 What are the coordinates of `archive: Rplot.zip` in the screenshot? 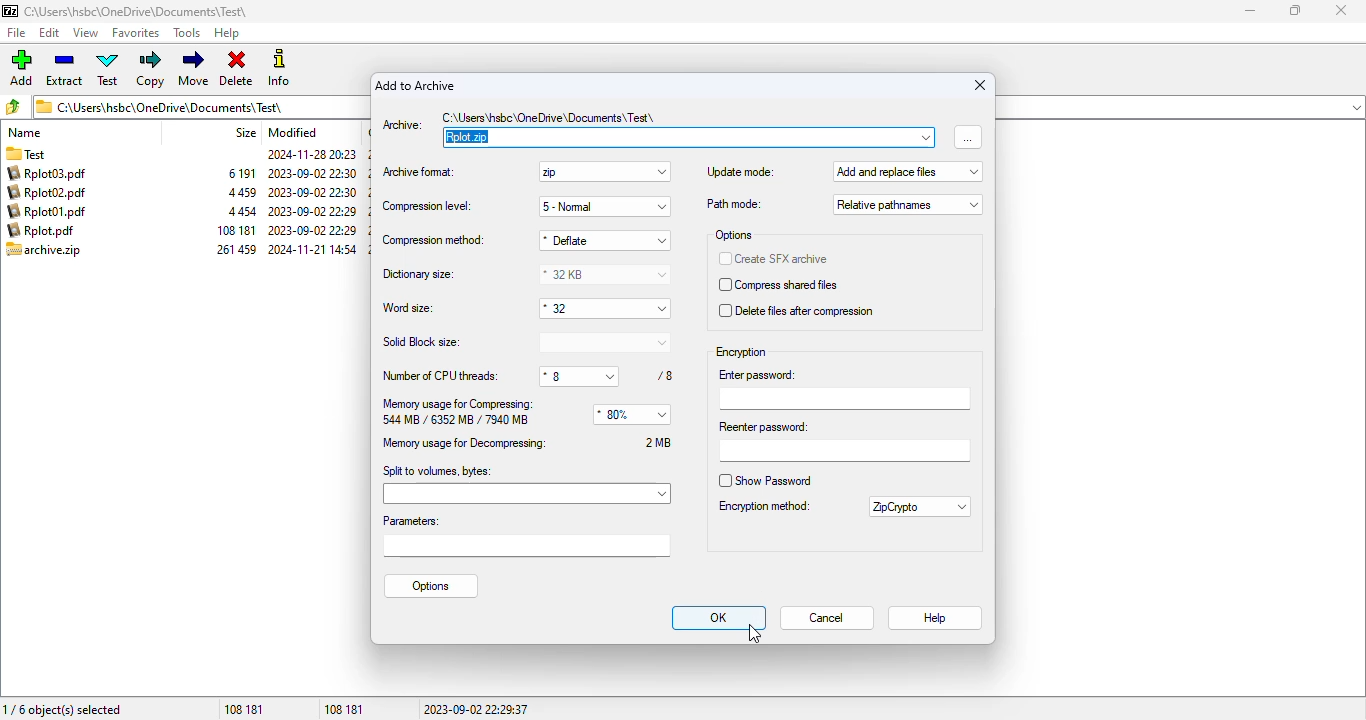 It's located at (677, 137).